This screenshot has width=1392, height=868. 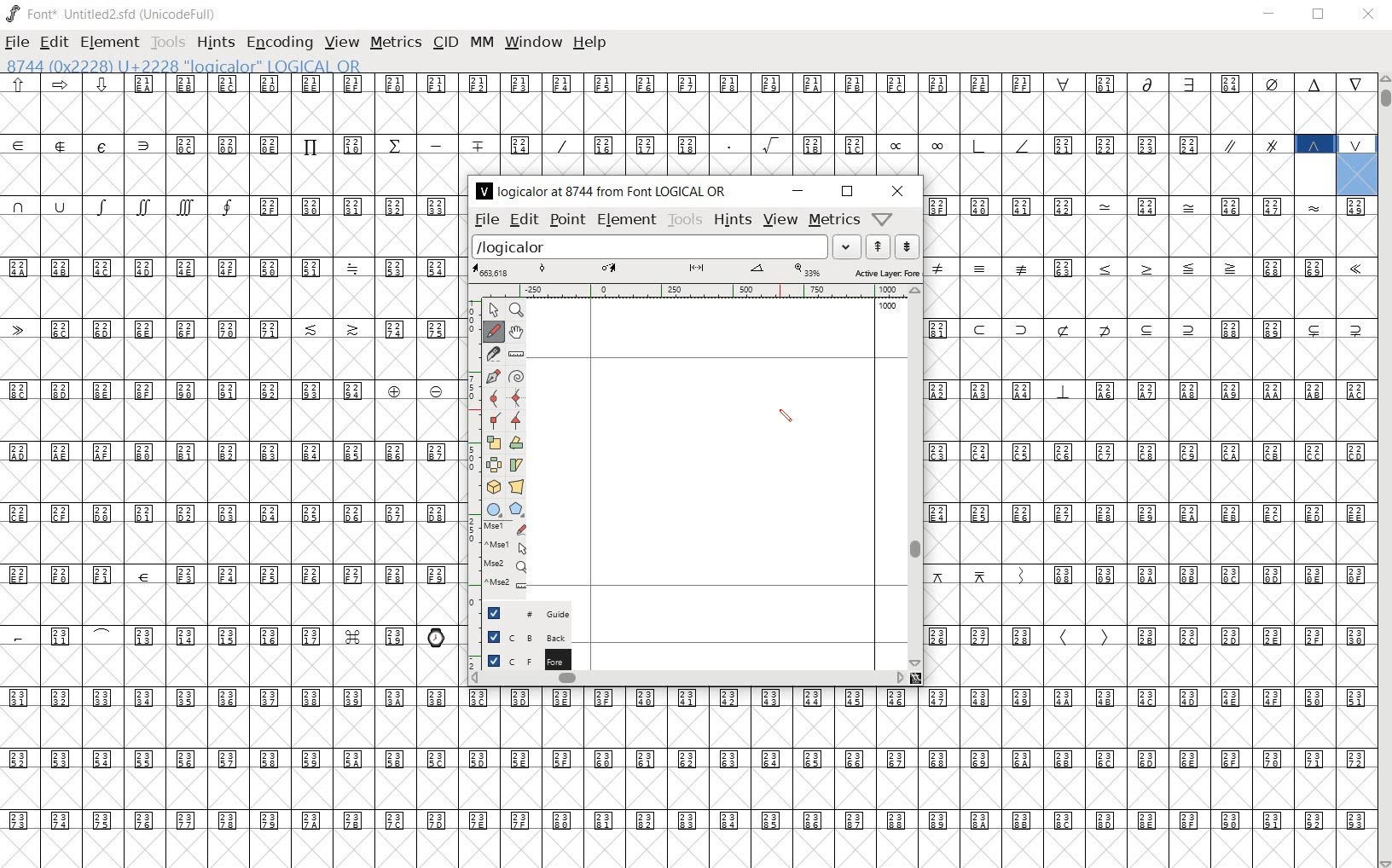 I want to click on encoding, so click(x=281, y=43).